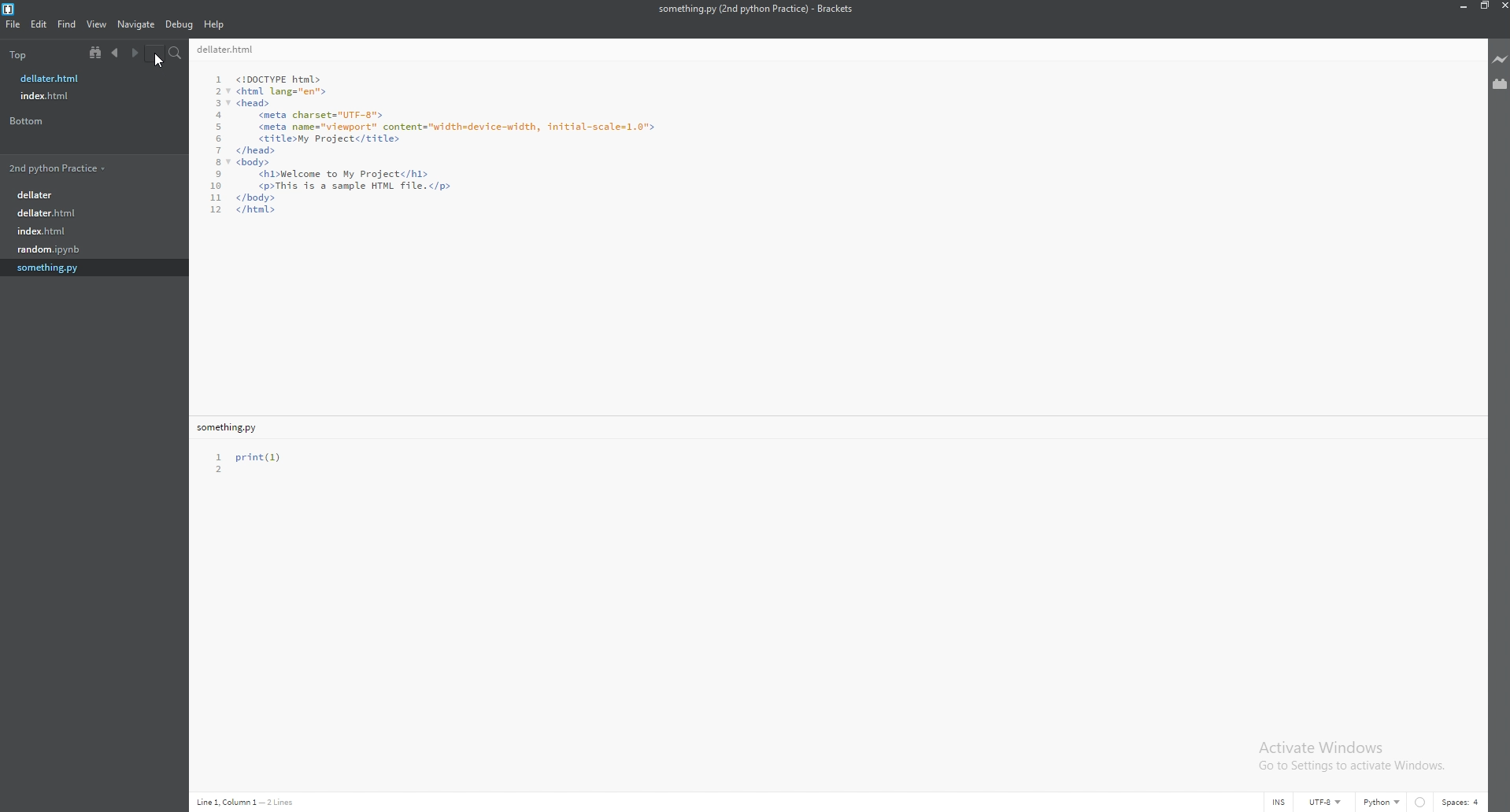 The image size is (1510, 812). Describe the element at coordinates (92, 214) in the screenshot. I see `file` at that location.